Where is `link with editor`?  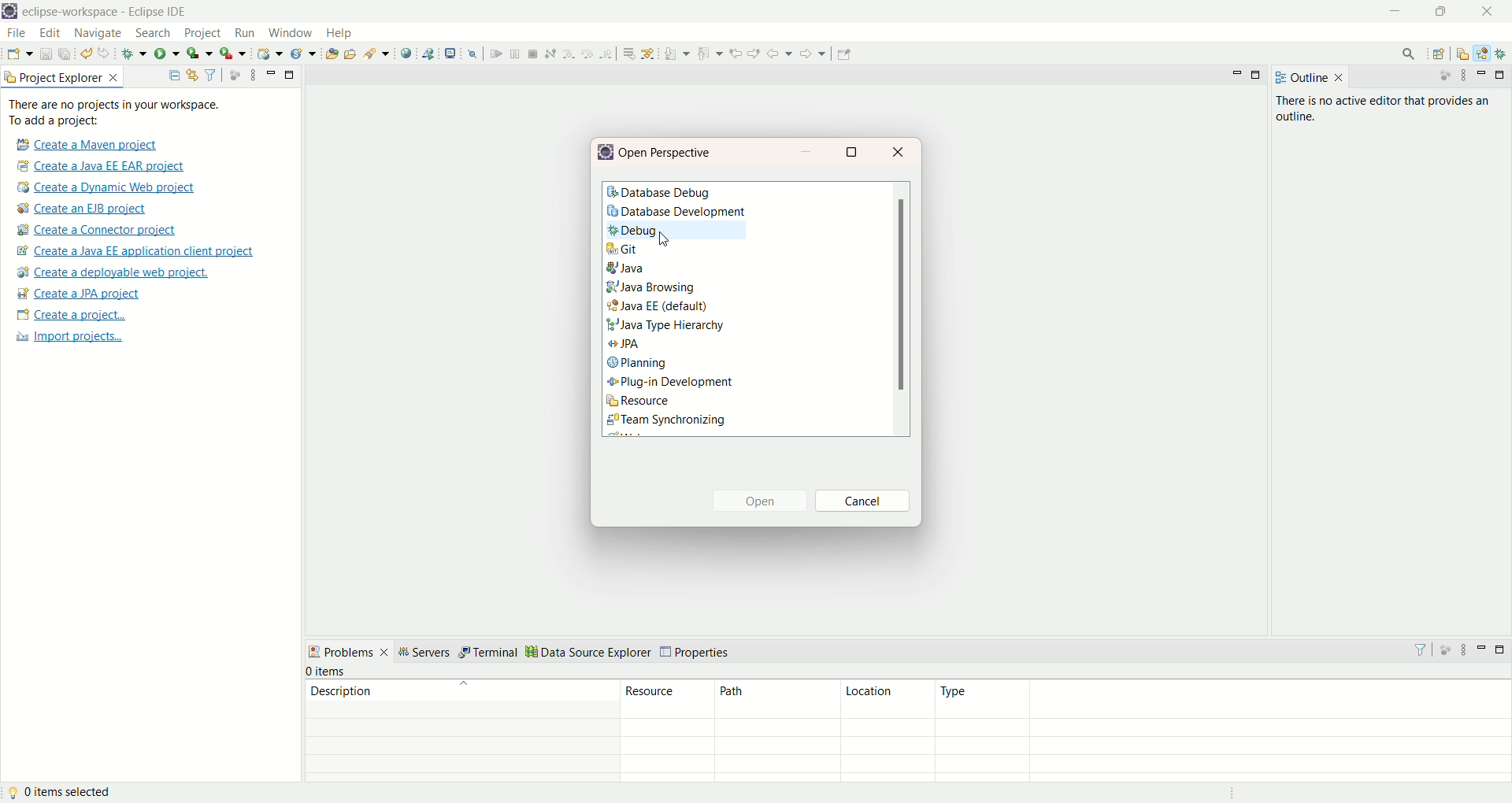 link with editor is located at coordinates (193, 74).